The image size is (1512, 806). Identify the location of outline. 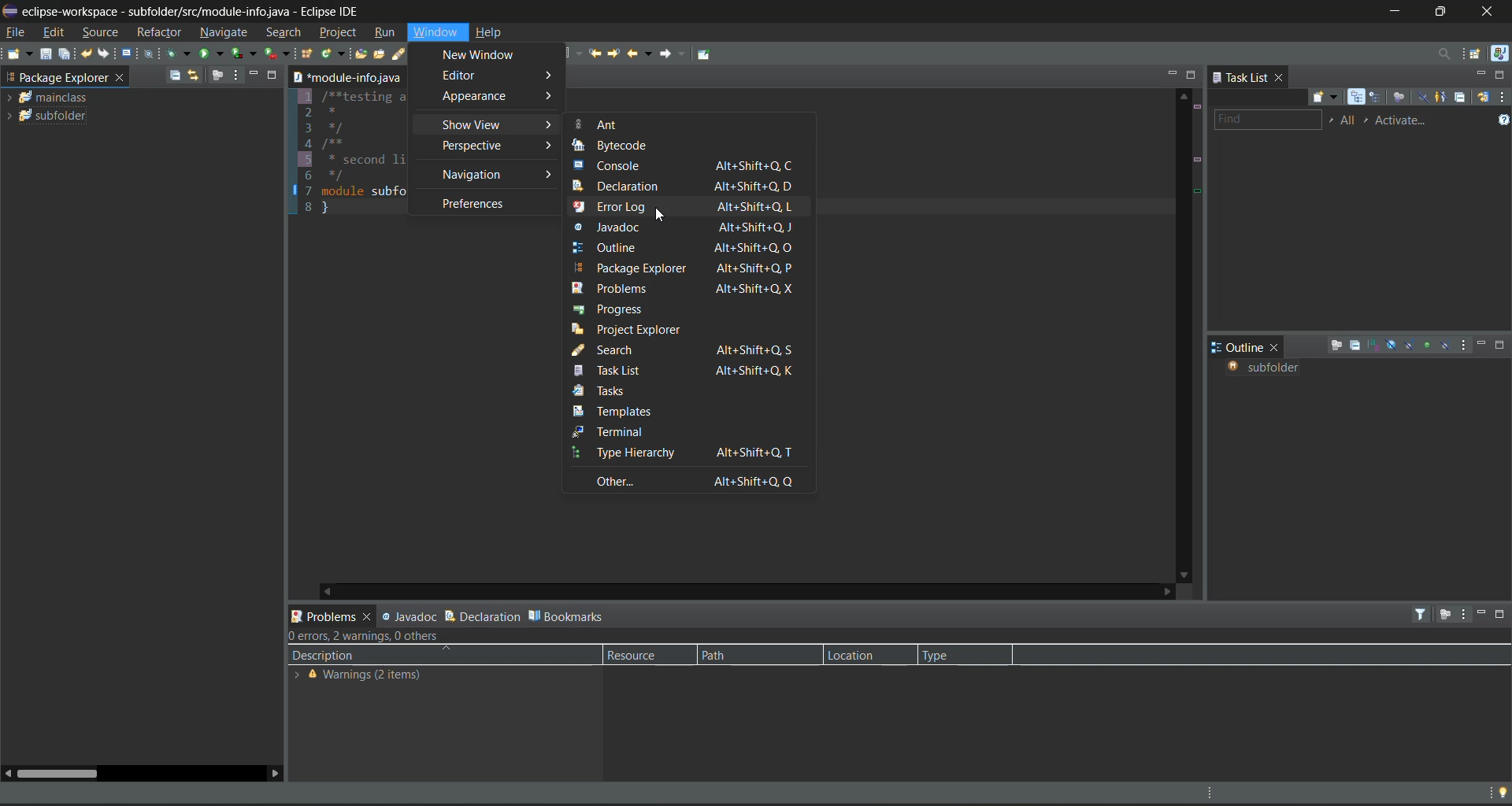
(1238, 347).